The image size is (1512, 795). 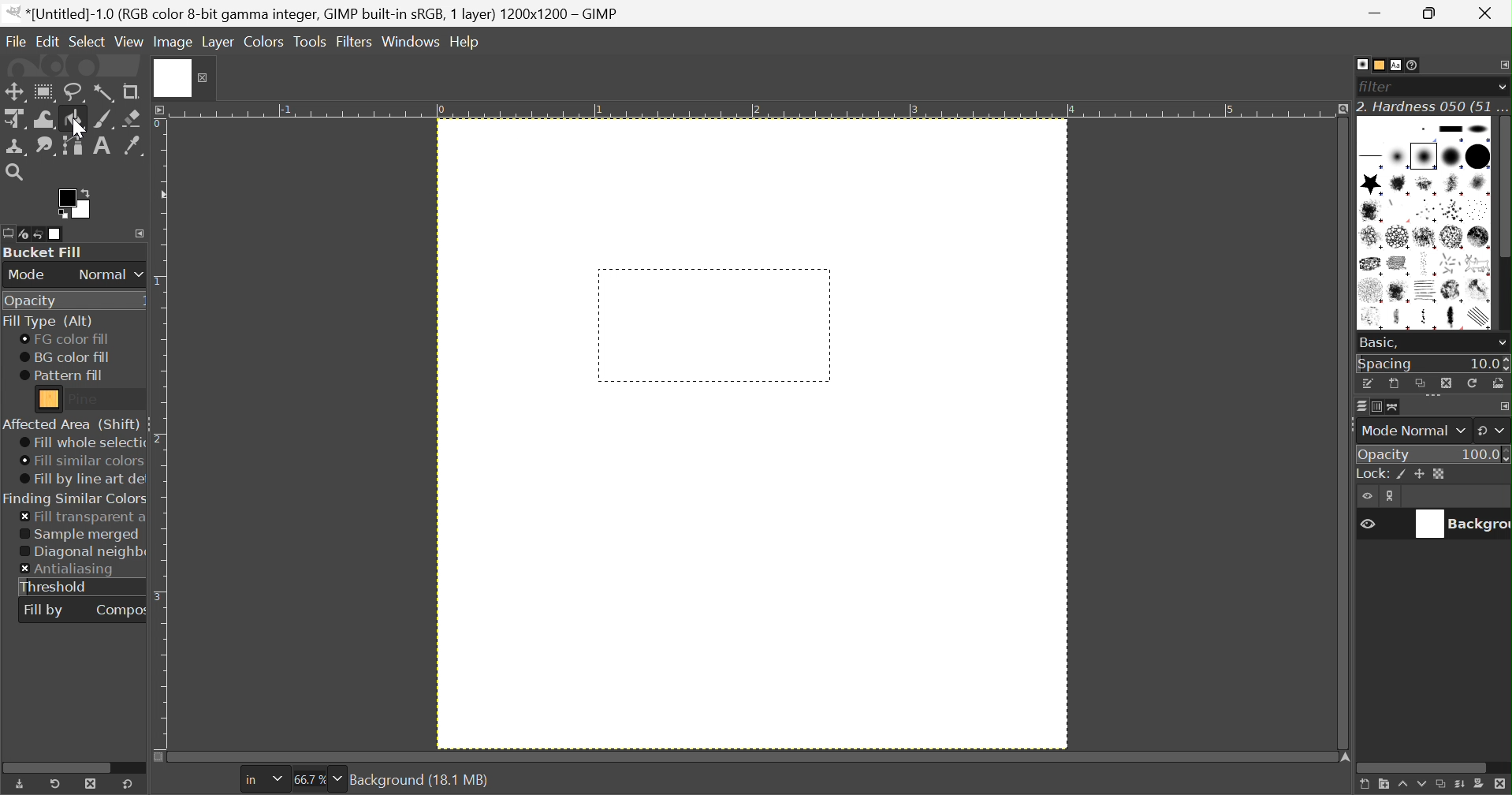 What do you see at coordinates (1371, 211) in the screenshot?
I see `Acrylic 05` at bounding box center [1371, 211].